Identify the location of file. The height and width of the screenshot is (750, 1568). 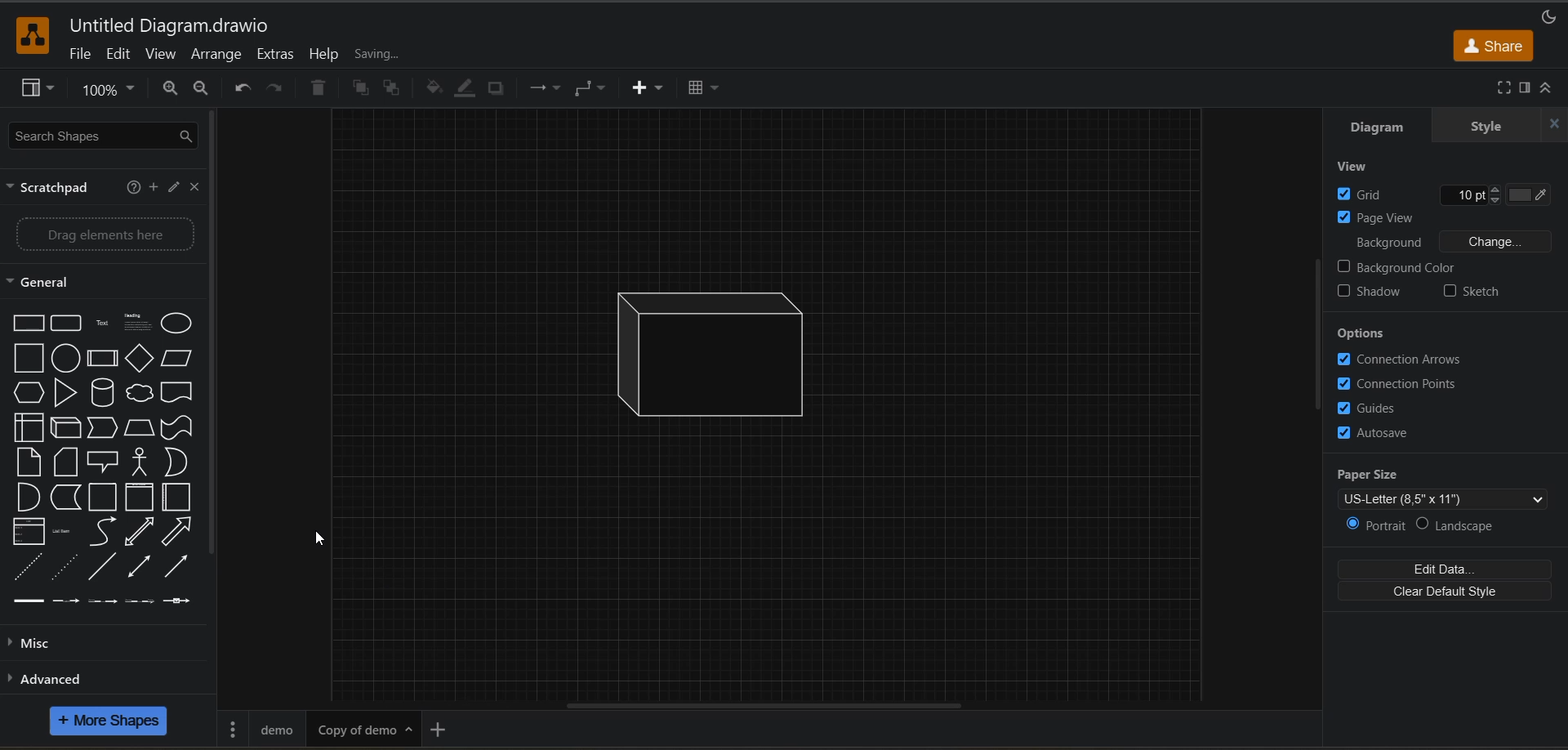
(86, 54).